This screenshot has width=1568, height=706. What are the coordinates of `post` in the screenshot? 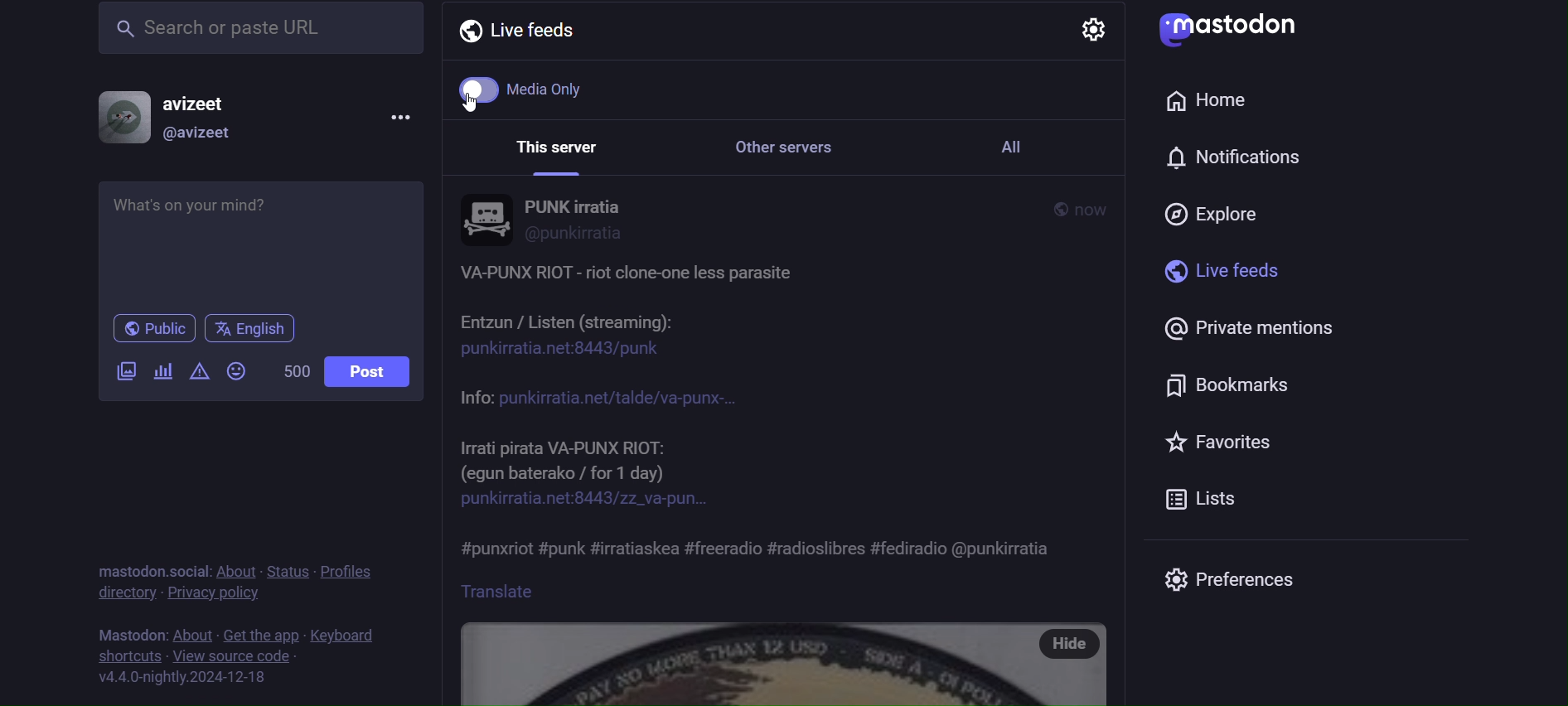 It's located at (375, 375).